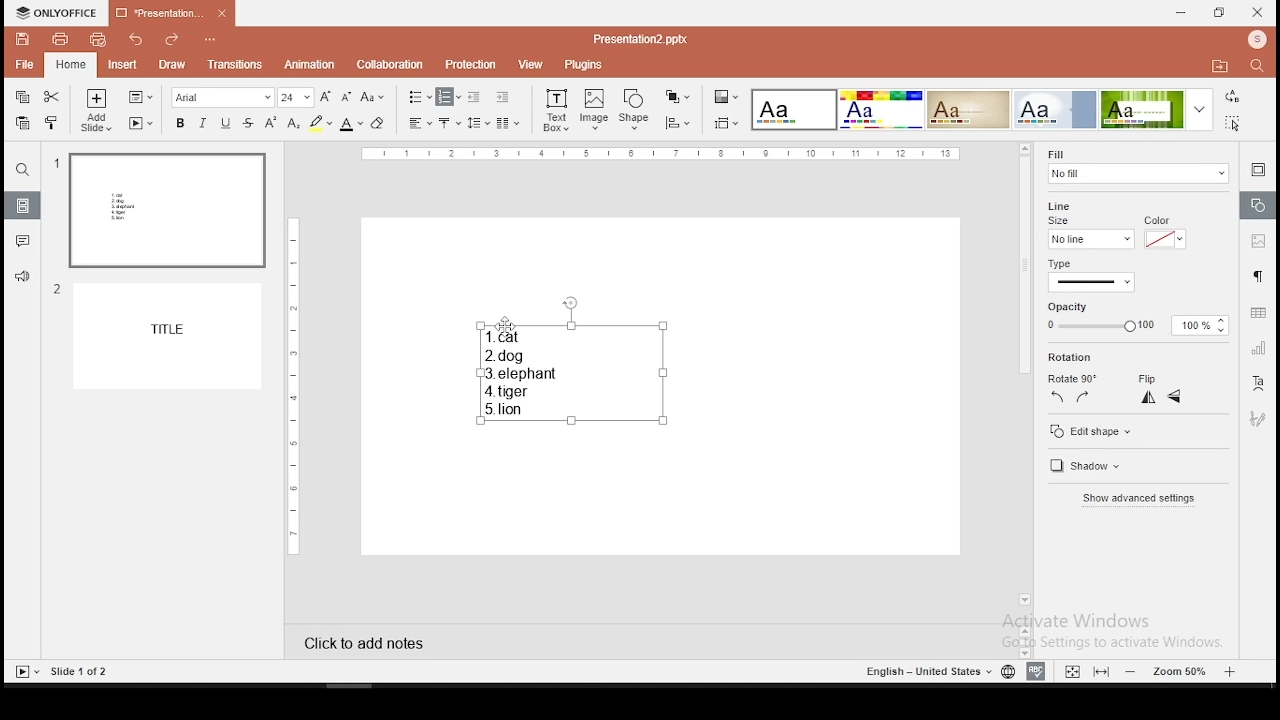 This screenshot has height=720, width=1280. Describe the element at coordinates (1092, 282) in the screenshot. I see `line type` at that location.